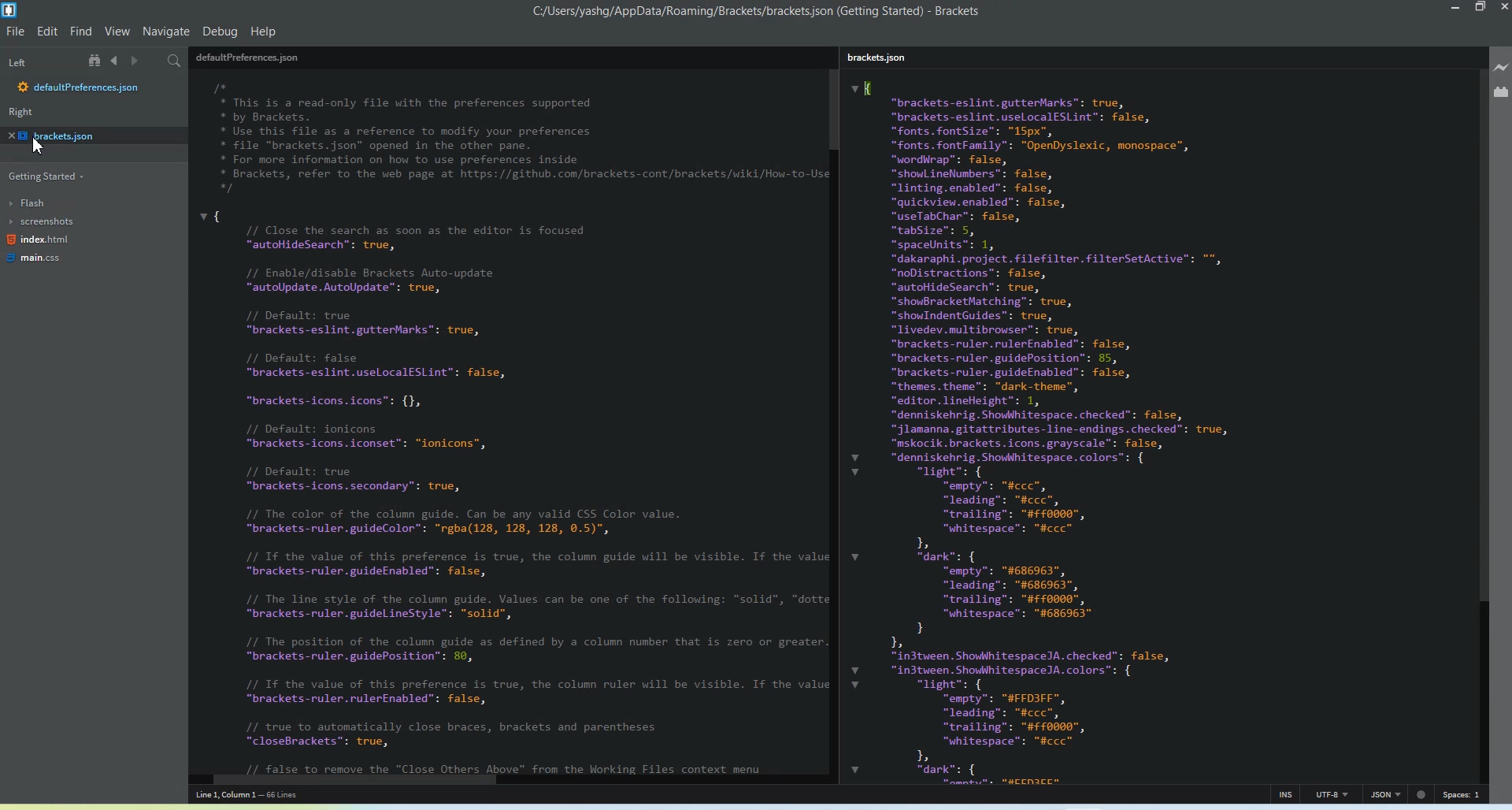  I want to click on Spaces, so click(1463, 794).